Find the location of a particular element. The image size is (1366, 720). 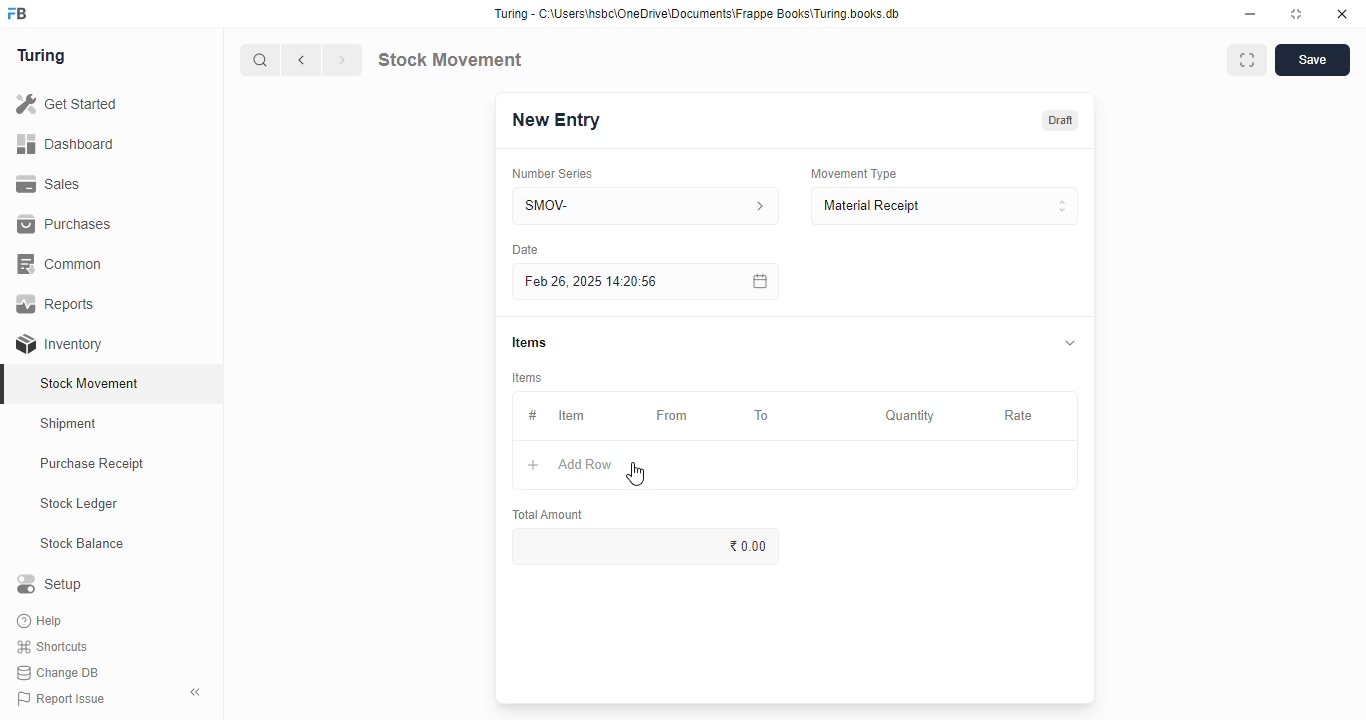

from is located at coordinates (673, 416).